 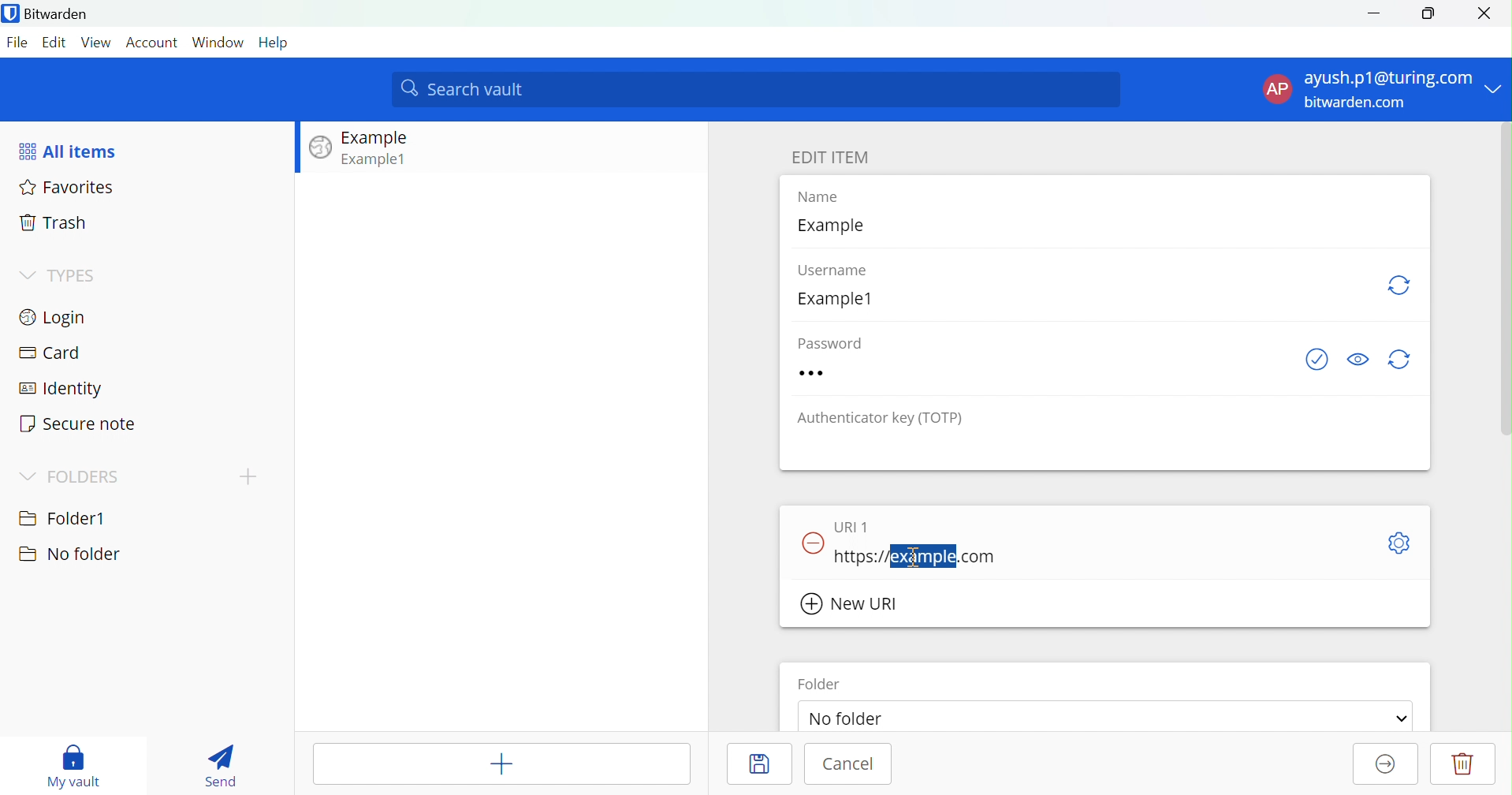 I want to click on Drop Down, so click(x=25, y=274).